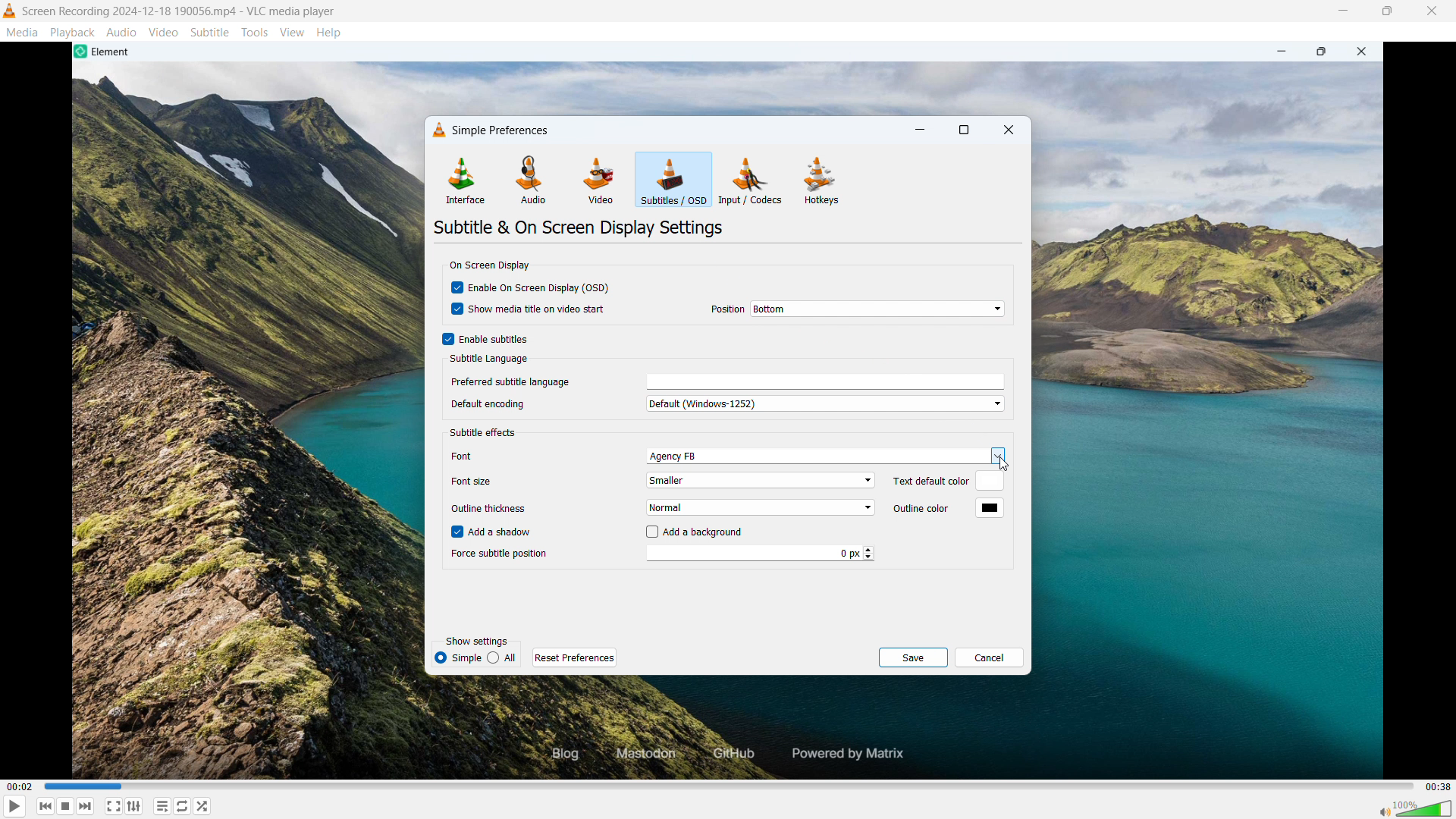 The height and width of the screenshot is (819, 1456). Describe the element at coordinates (1008, 131) in the screenshot. I see `close dialogue box` at that location.